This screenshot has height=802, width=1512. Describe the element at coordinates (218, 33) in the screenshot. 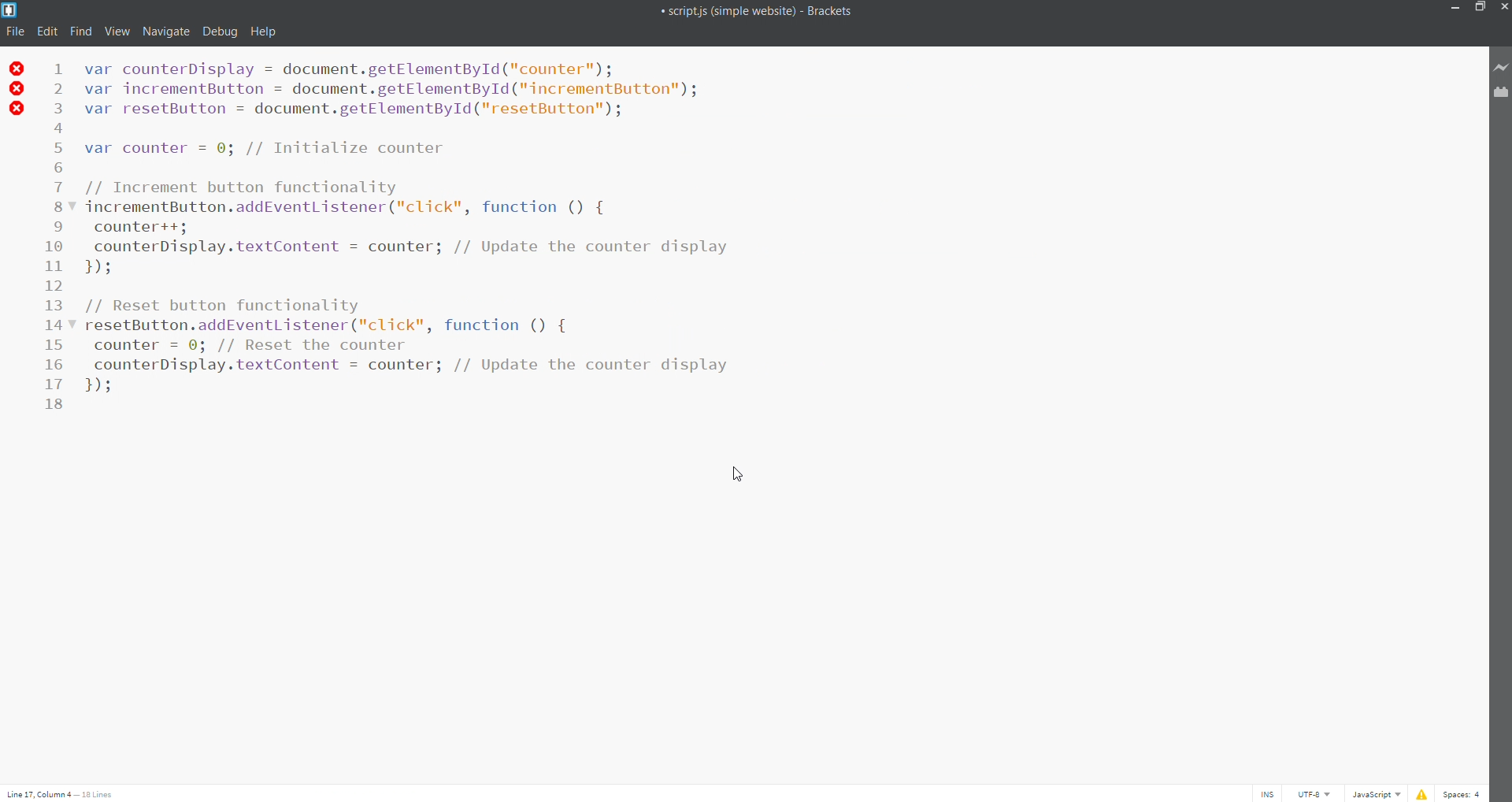

I see `debug` at that location.